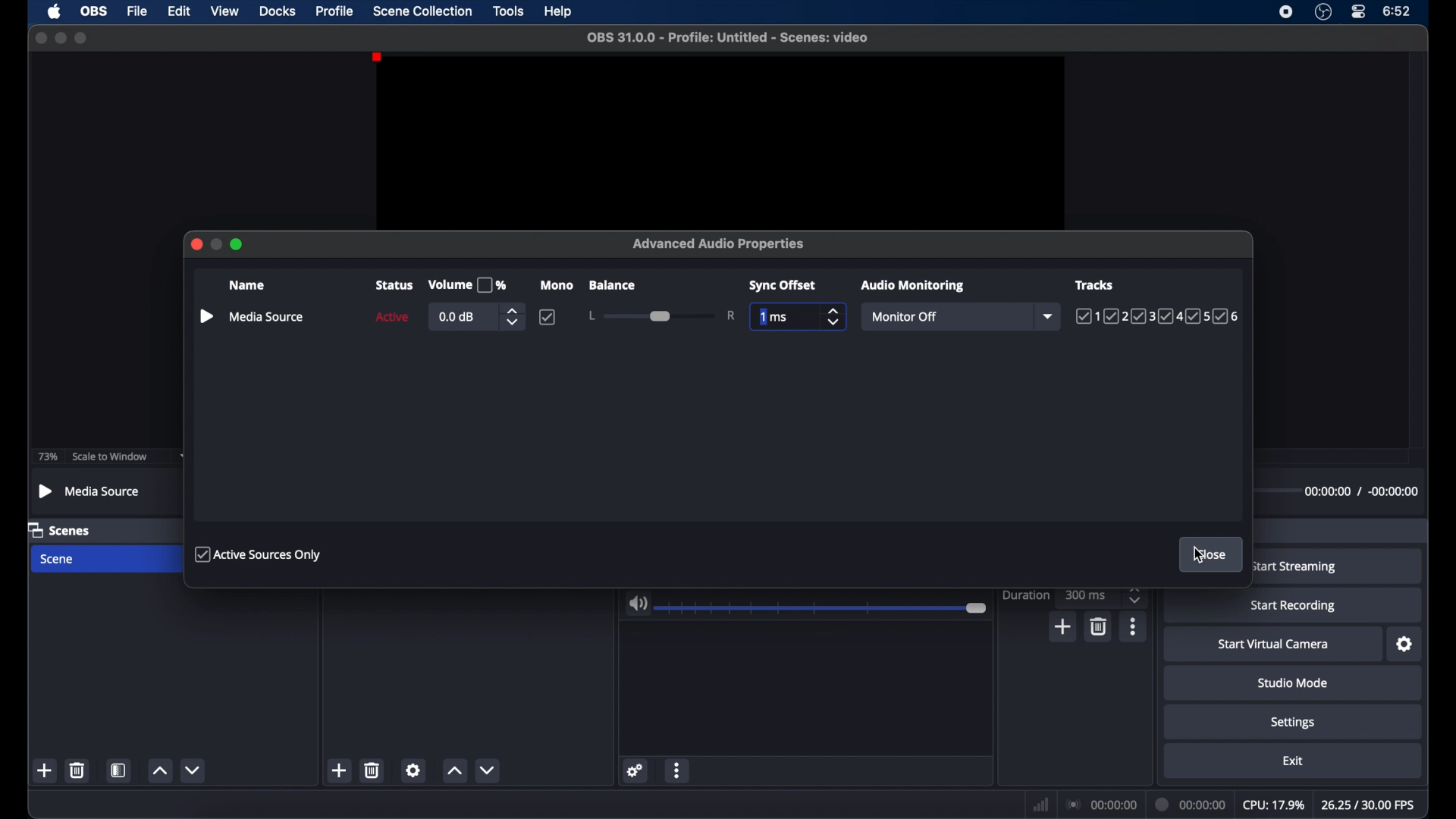  I want to click on settings, so click(1404, 645).